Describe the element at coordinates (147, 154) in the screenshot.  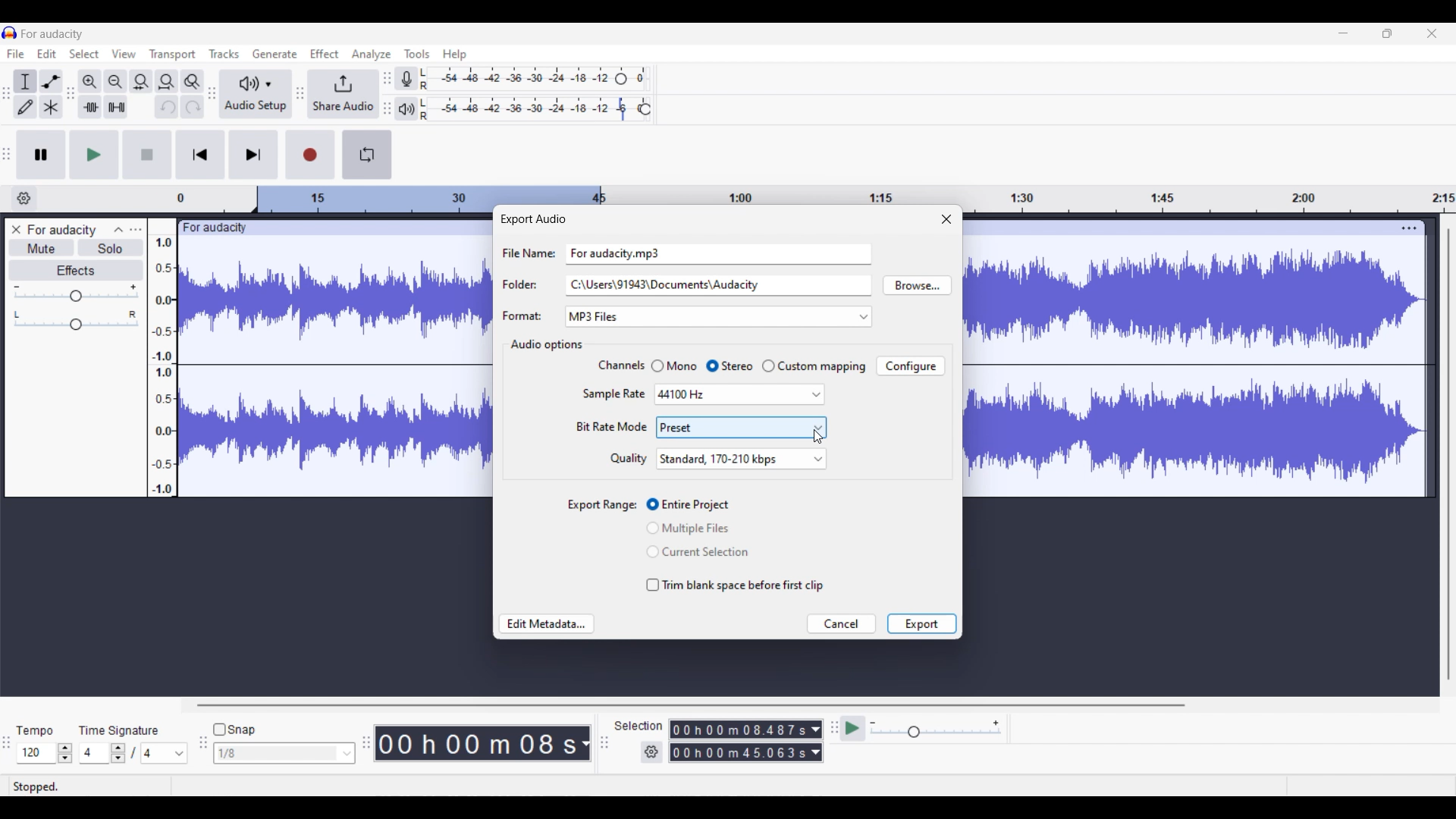
I see `Stop` at that location.